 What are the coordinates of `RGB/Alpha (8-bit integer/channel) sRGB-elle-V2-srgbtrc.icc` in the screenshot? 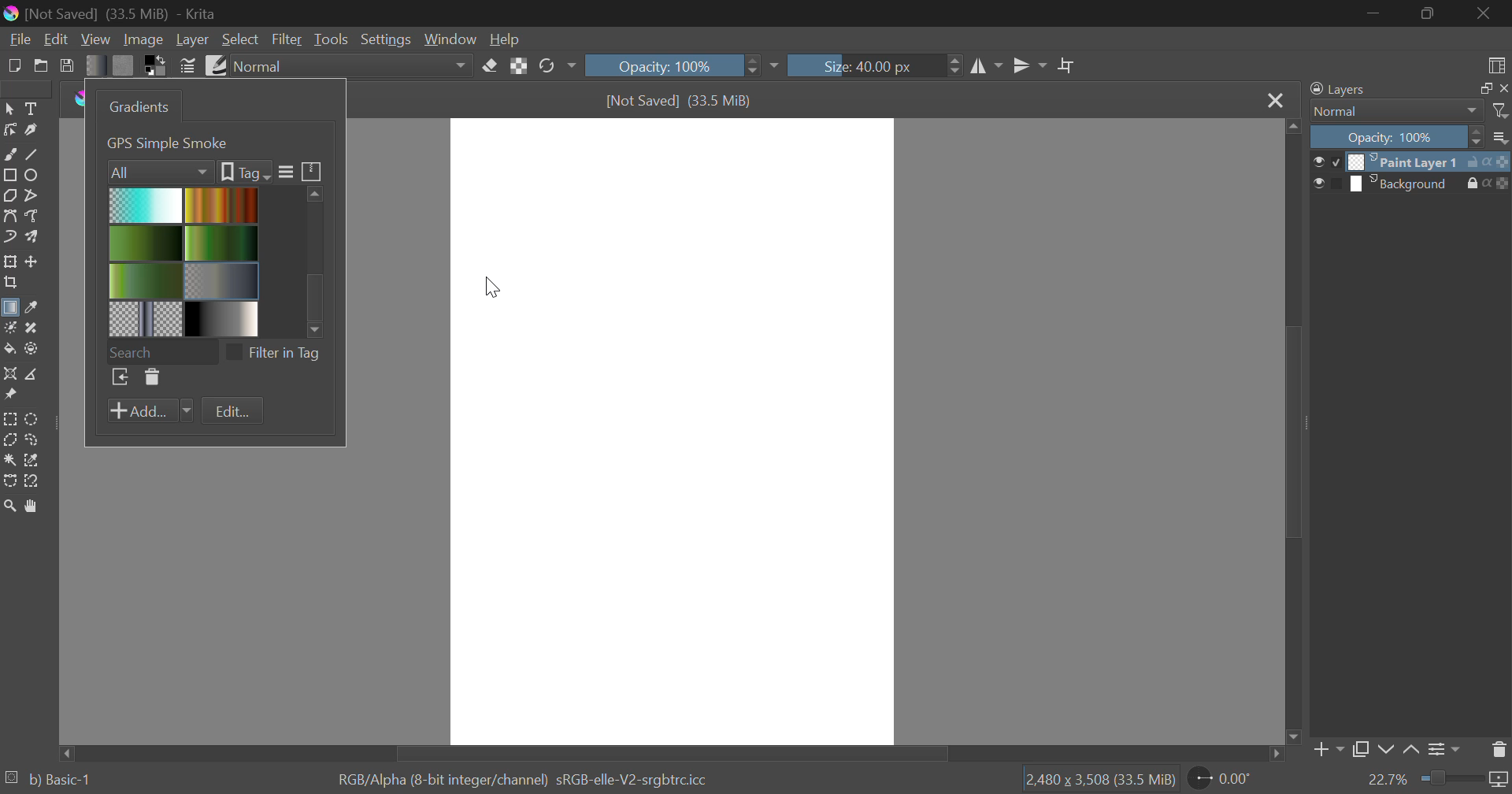 It's located at (528, 777).